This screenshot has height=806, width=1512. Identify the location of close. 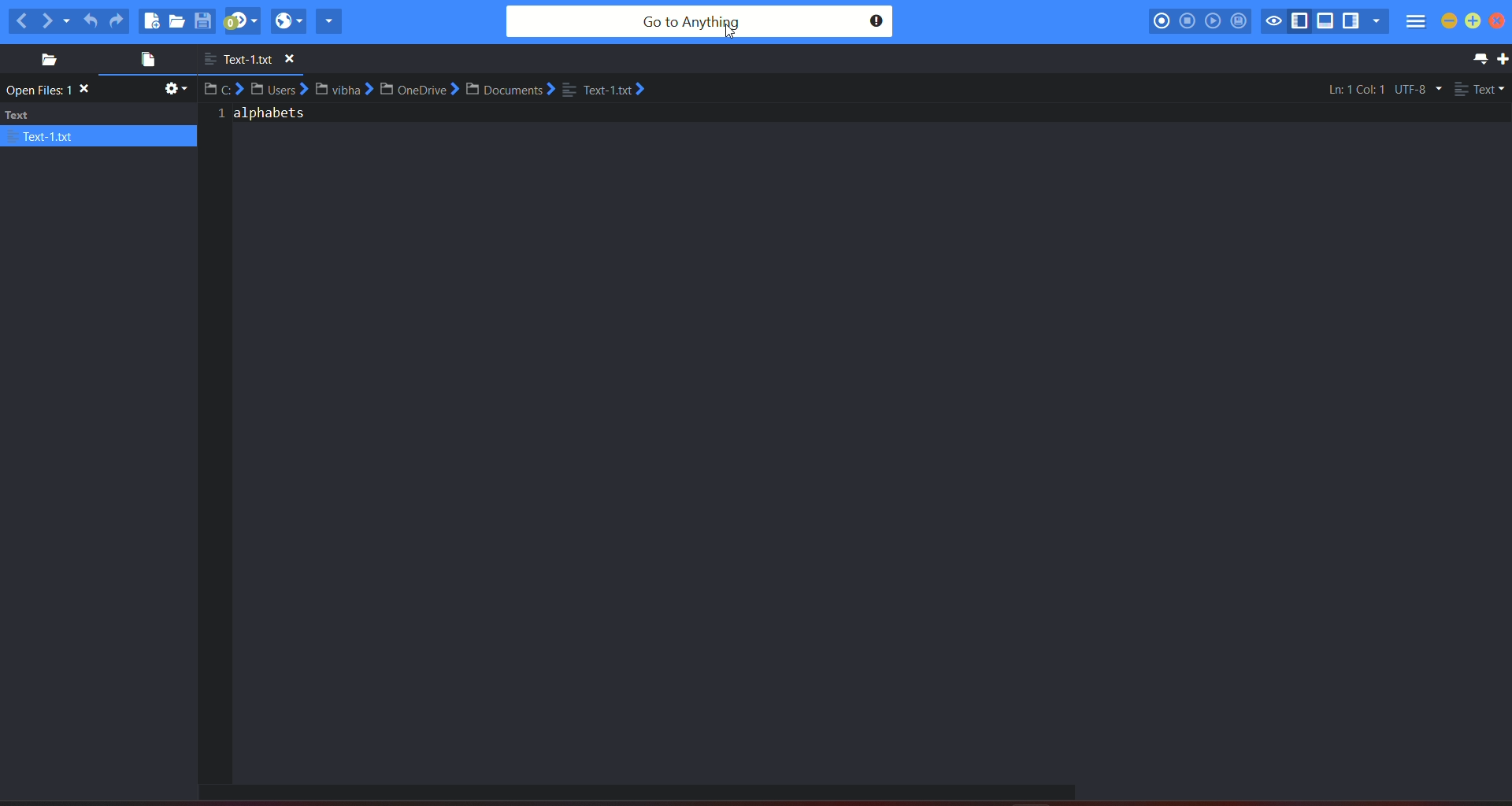
(1502, 22).